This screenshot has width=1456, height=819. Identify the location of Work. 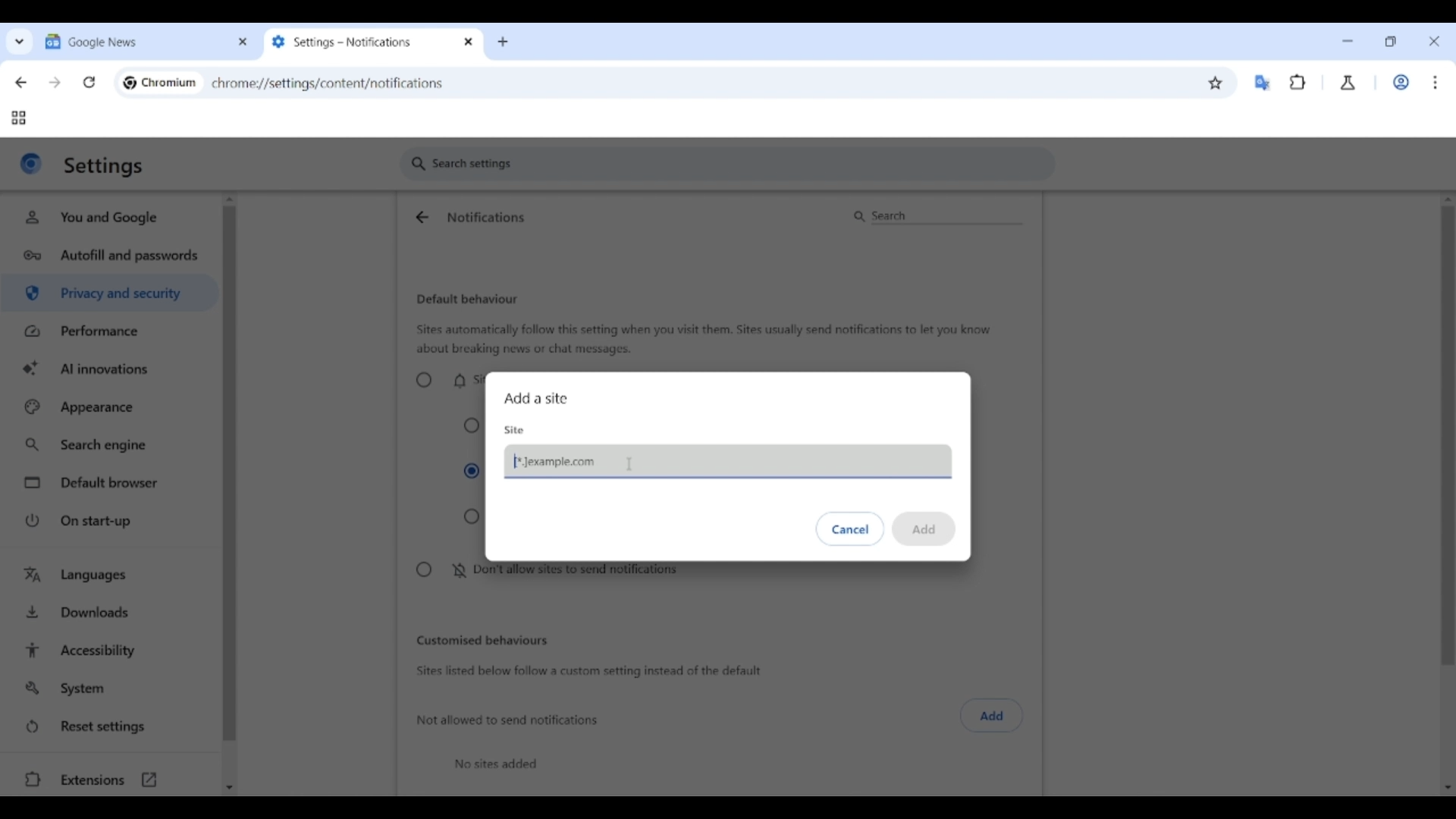
(1401, 82).